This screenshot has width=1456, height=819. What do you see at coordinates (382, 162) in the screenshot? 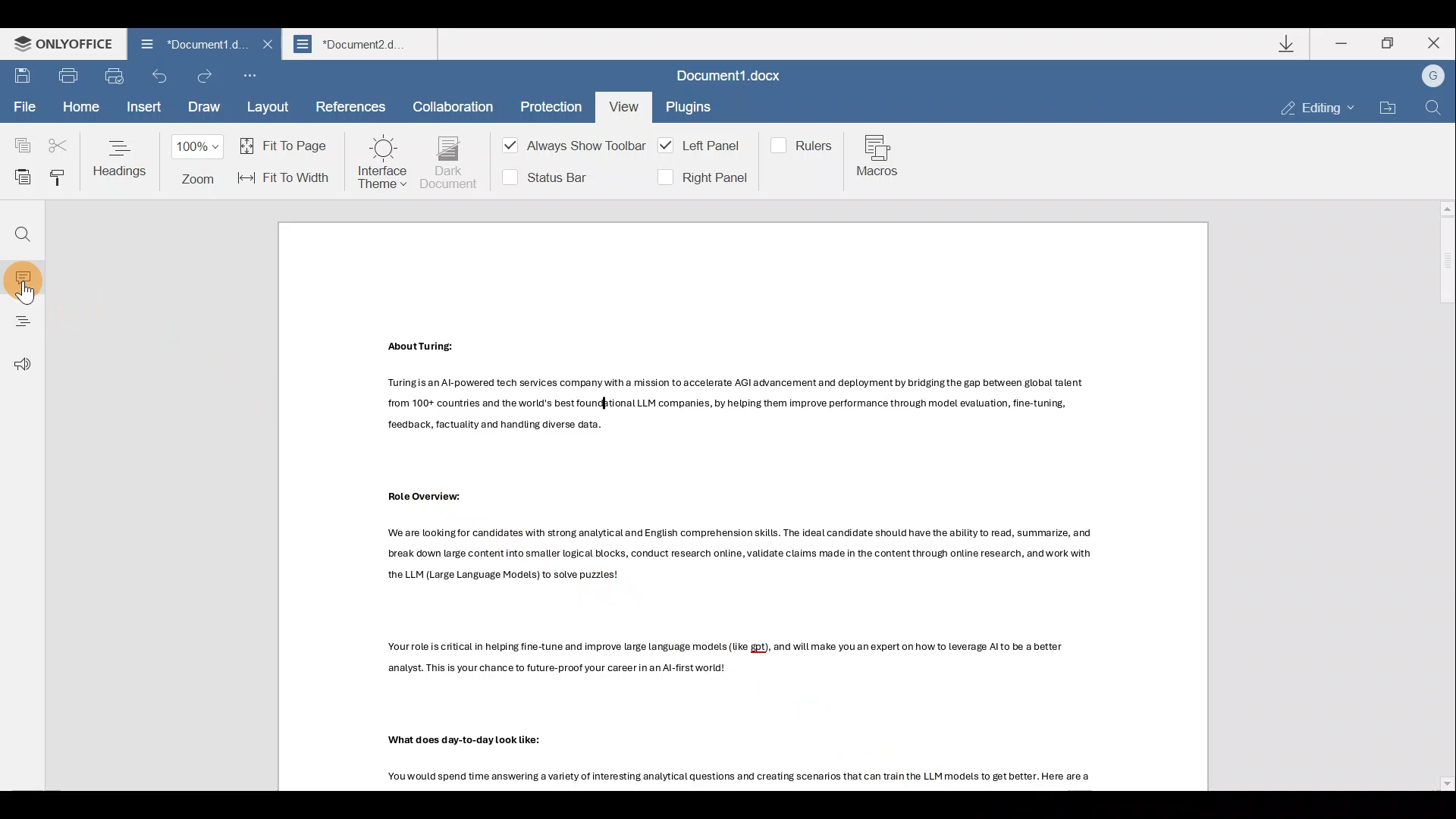
I see `Interface theme` at bounding box center [382, 162].